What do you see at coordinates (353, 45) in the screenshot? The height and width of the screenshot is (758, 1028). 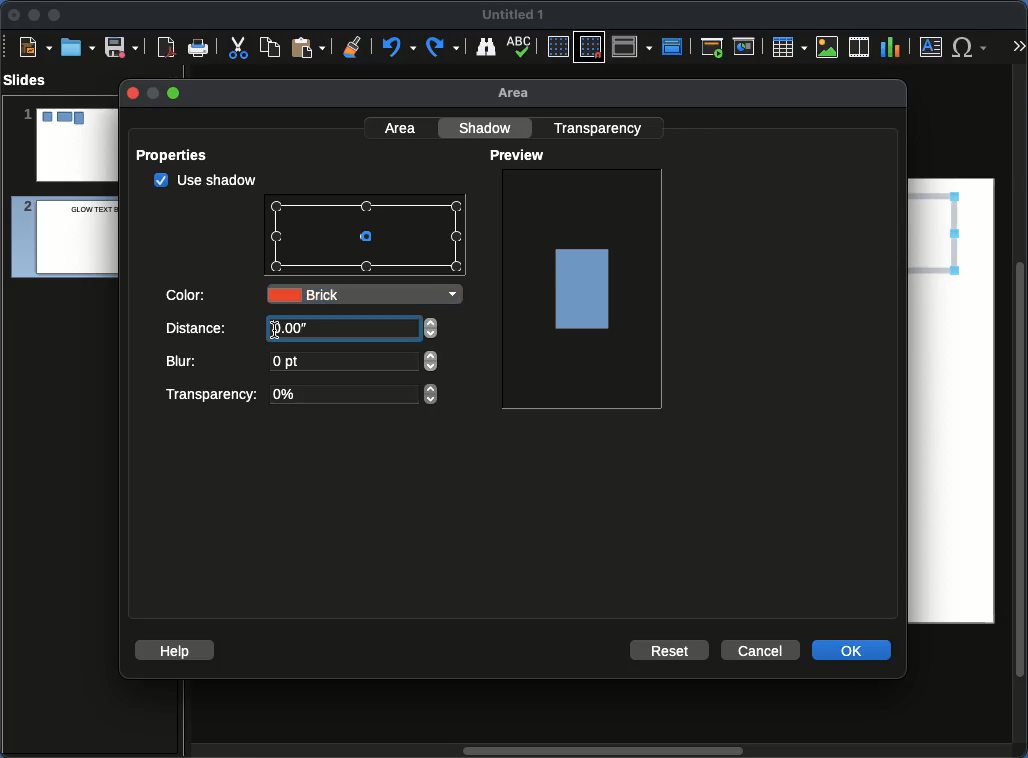 I see `Clear formatting` at bounding box center [353, 45].